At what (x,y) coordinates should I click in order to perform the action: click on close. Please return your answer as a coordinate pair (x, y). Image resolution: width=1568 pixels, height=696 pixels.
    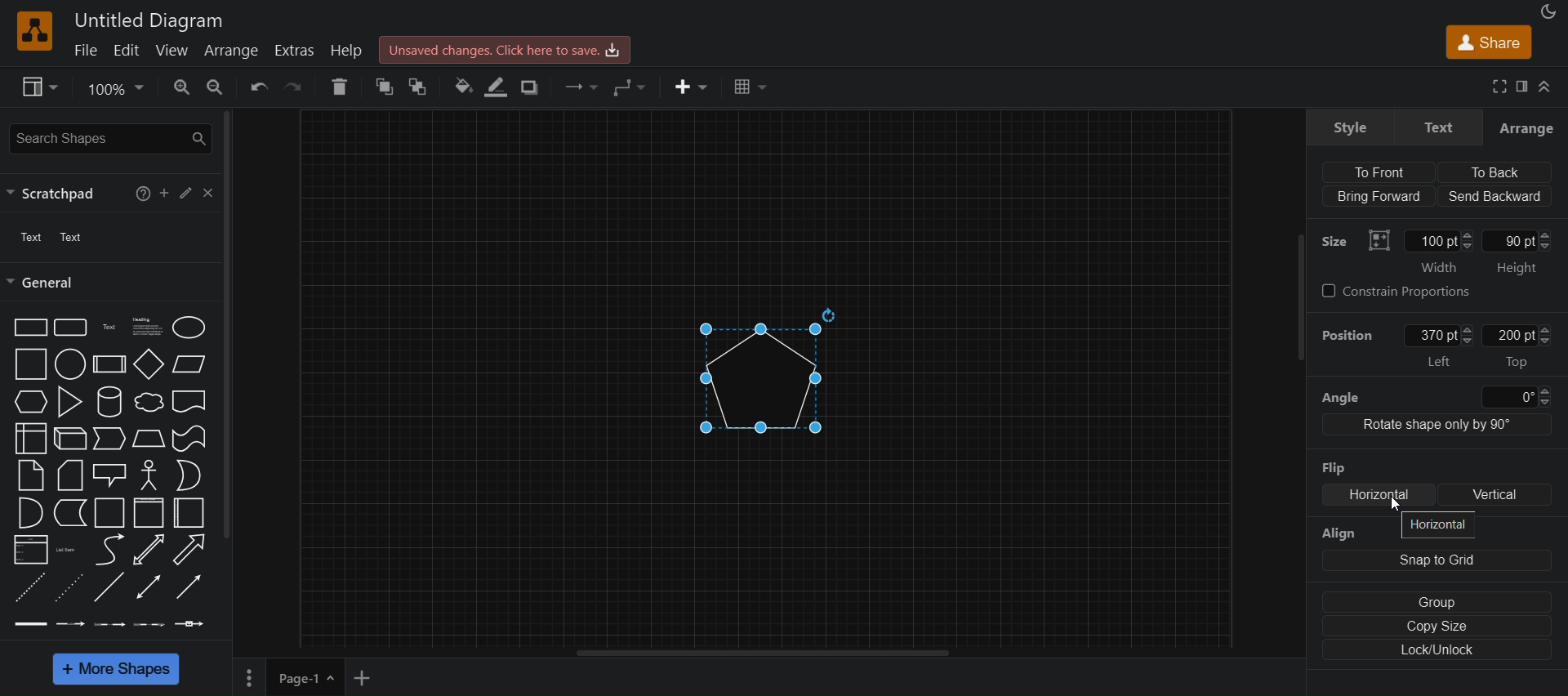
    Looking at the image, I should click on (207, 193).